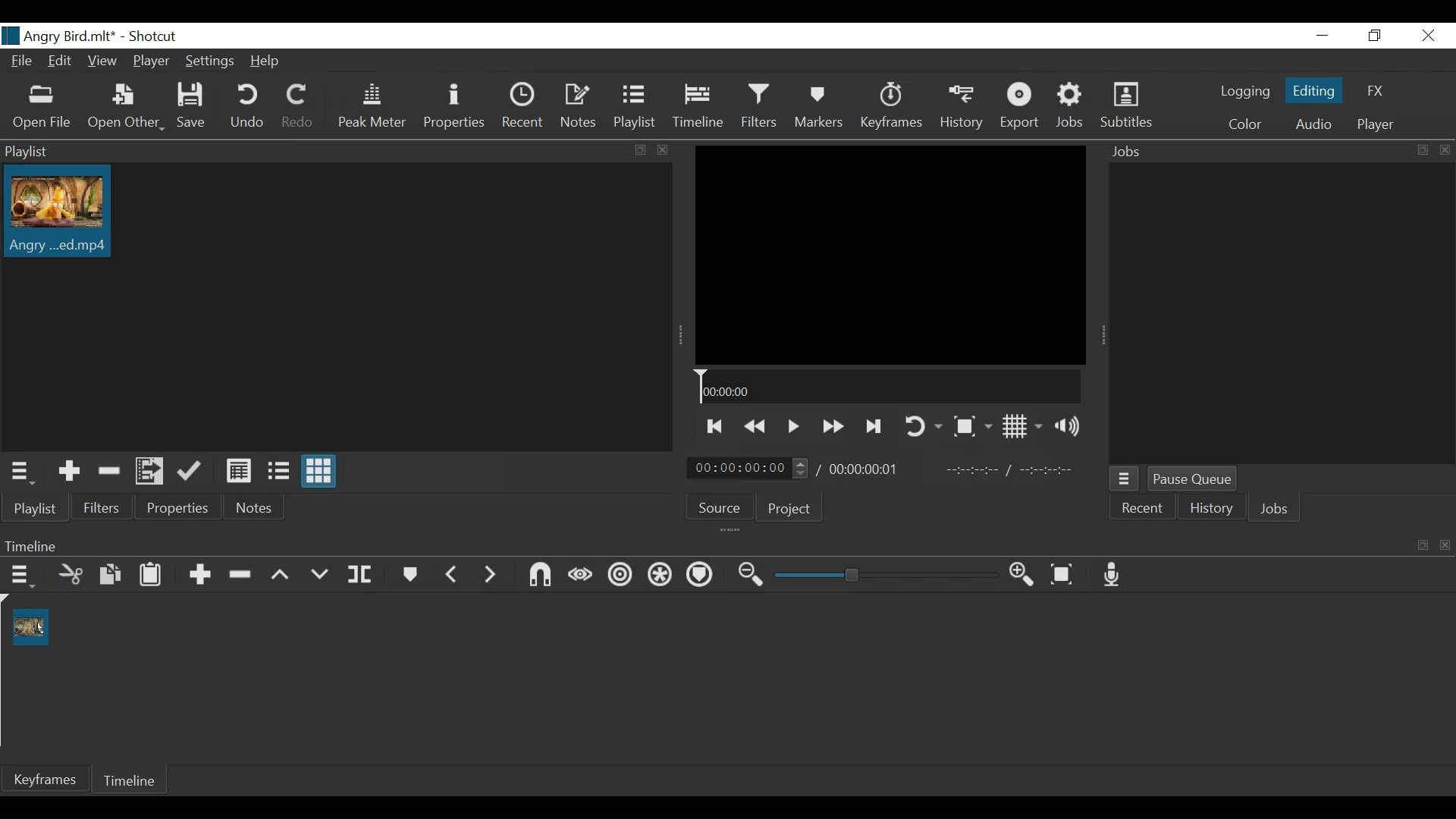 Image resolution: width=1456 pixels, height=819 pixels. Describe the element at coordinates (102, 505) in the screenshot. I see `Filters` at that location.